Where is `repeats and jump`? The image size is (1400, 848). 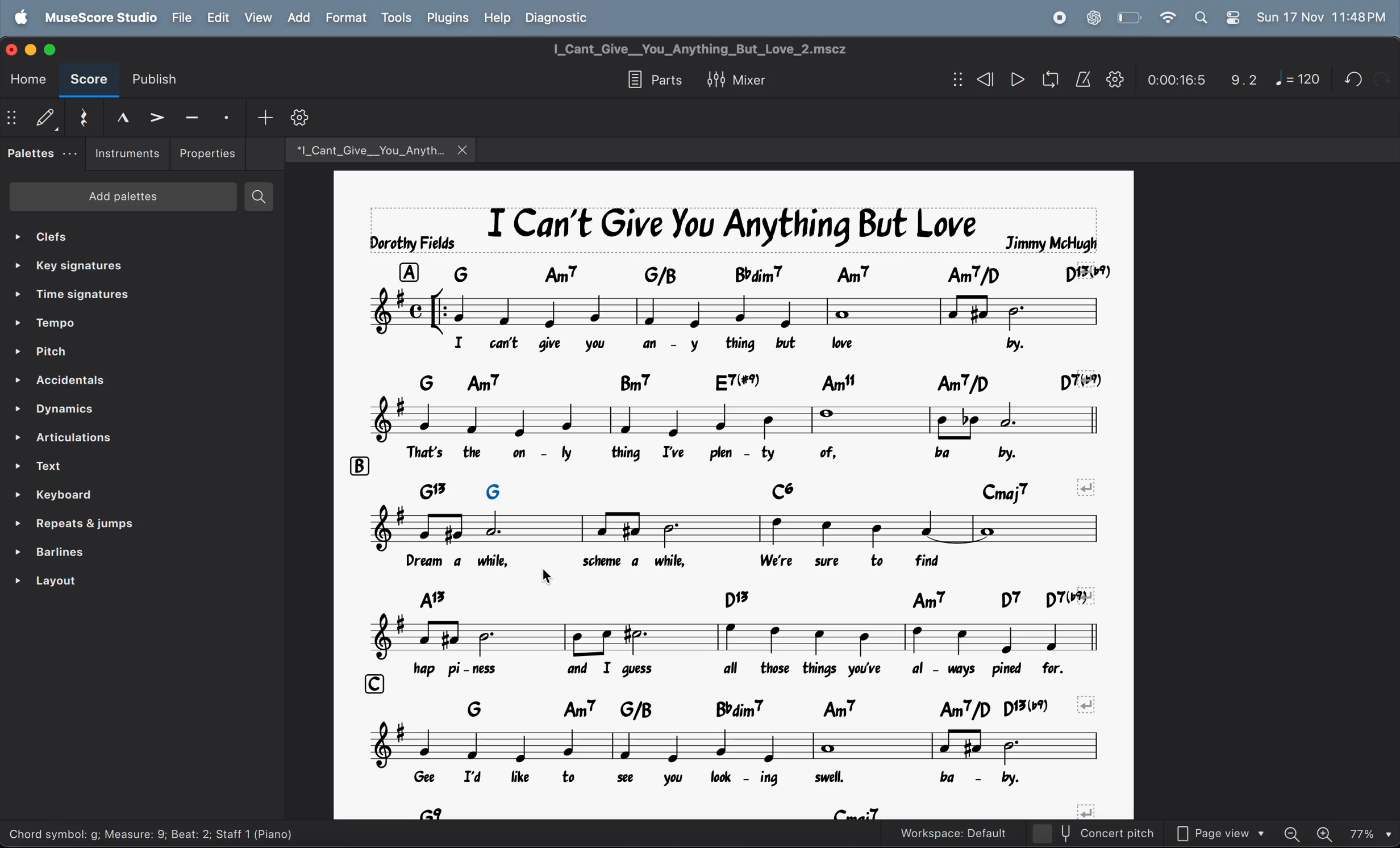 repeats and jump is located at coordinates (111, 526).